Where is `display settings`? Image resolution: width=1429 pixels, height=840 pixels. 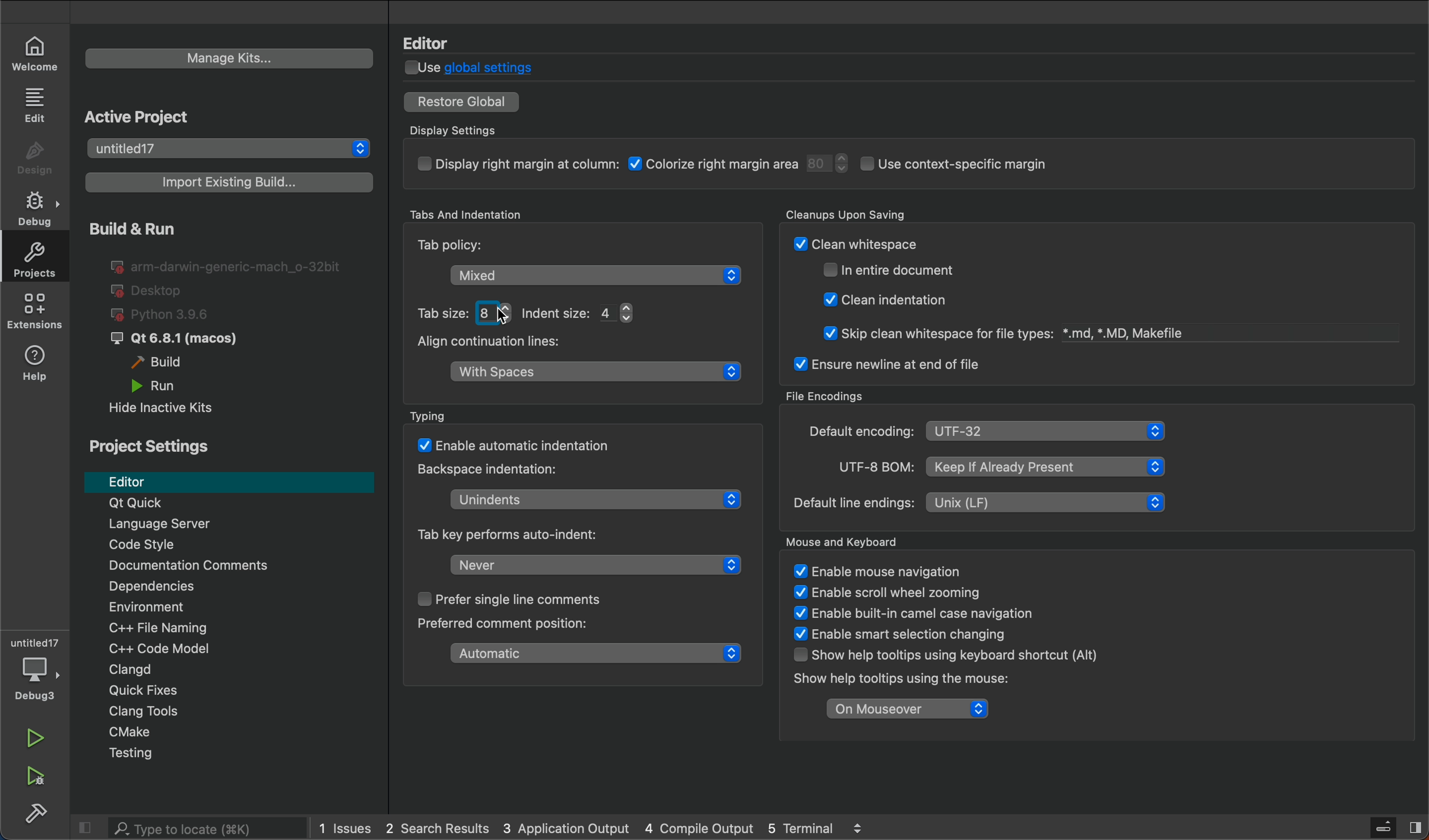 display settings is located at coordinates (781, 169).